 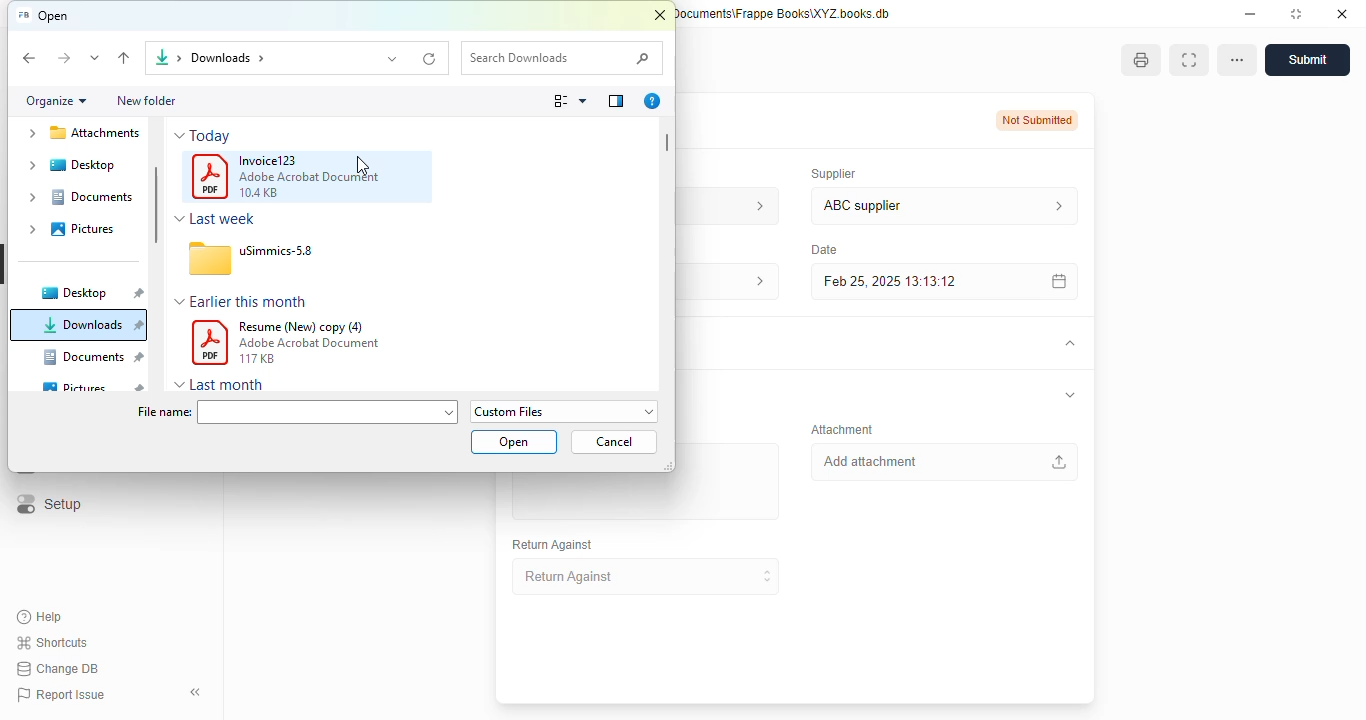 I want to click on 117 KB, so click(x=256, y=358).